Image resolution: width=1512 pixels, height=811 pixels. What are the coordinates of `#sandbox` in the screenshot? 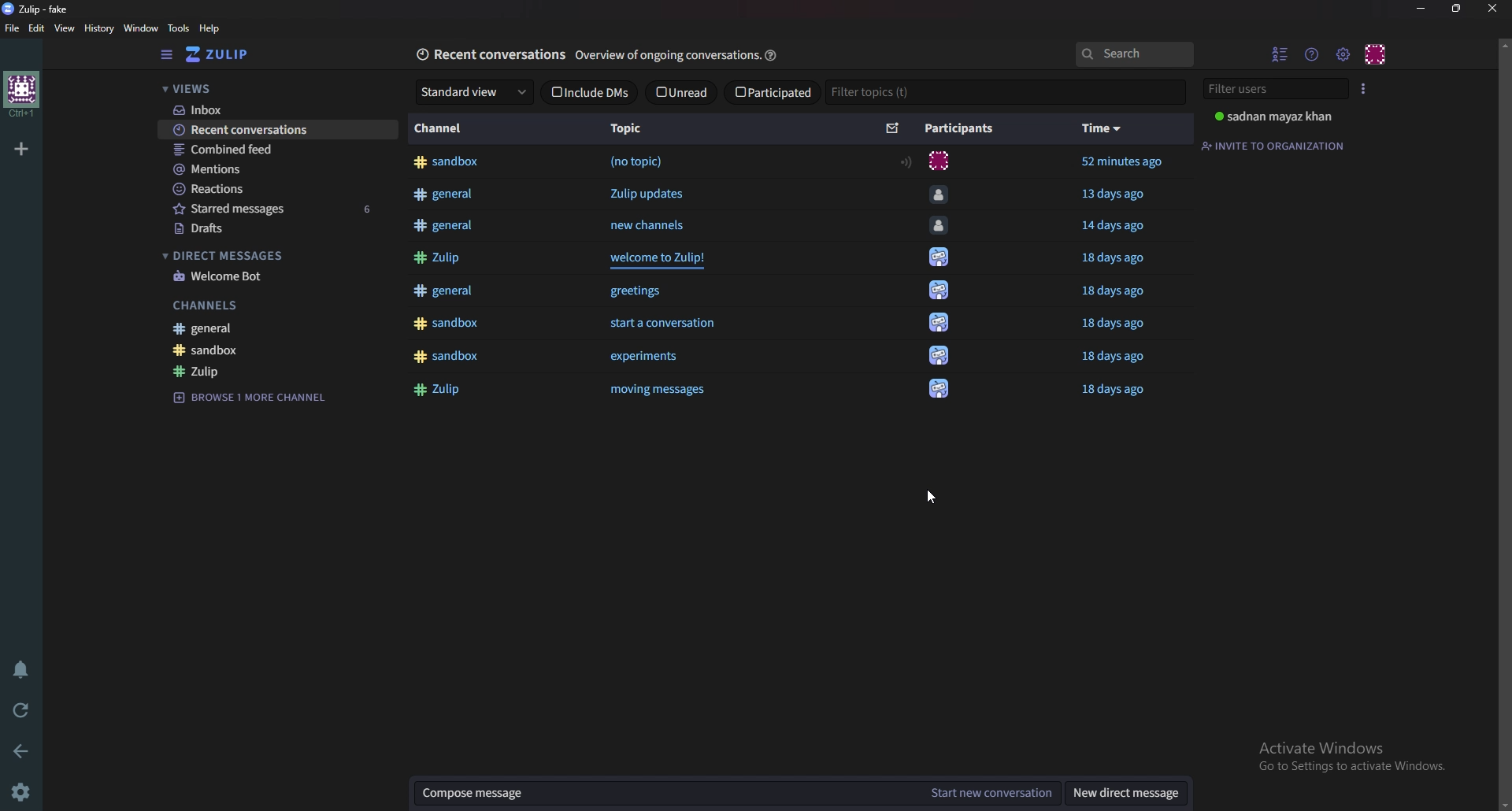 It's located at (448, 163).